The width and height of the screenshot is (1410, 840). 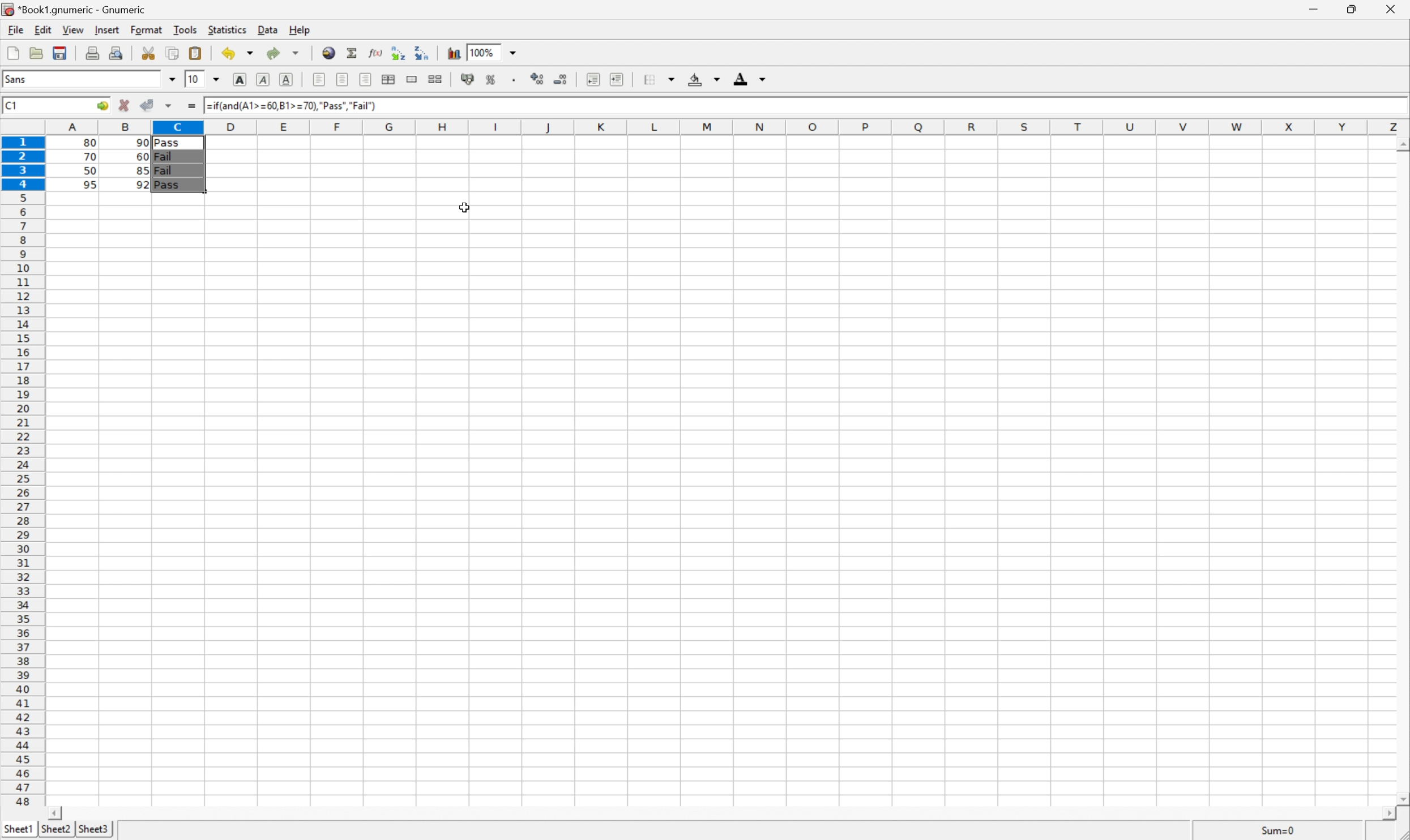 I want to click on View, so click(x=74, y=29).